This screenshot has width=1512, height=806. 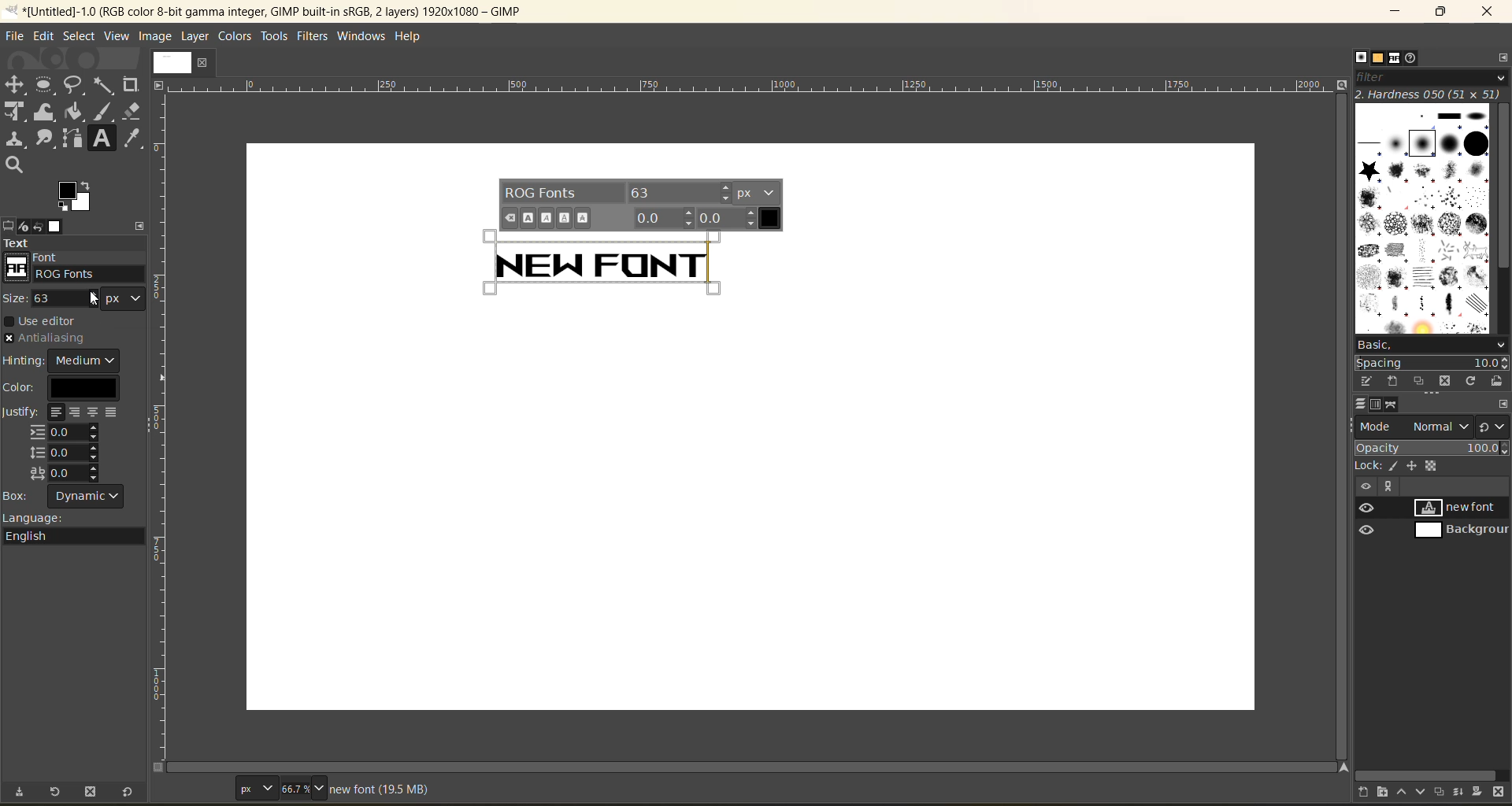 What do you see at coordinates (26, 226) in the screenshot?
I see `device status` at bounding box center [26, 226].